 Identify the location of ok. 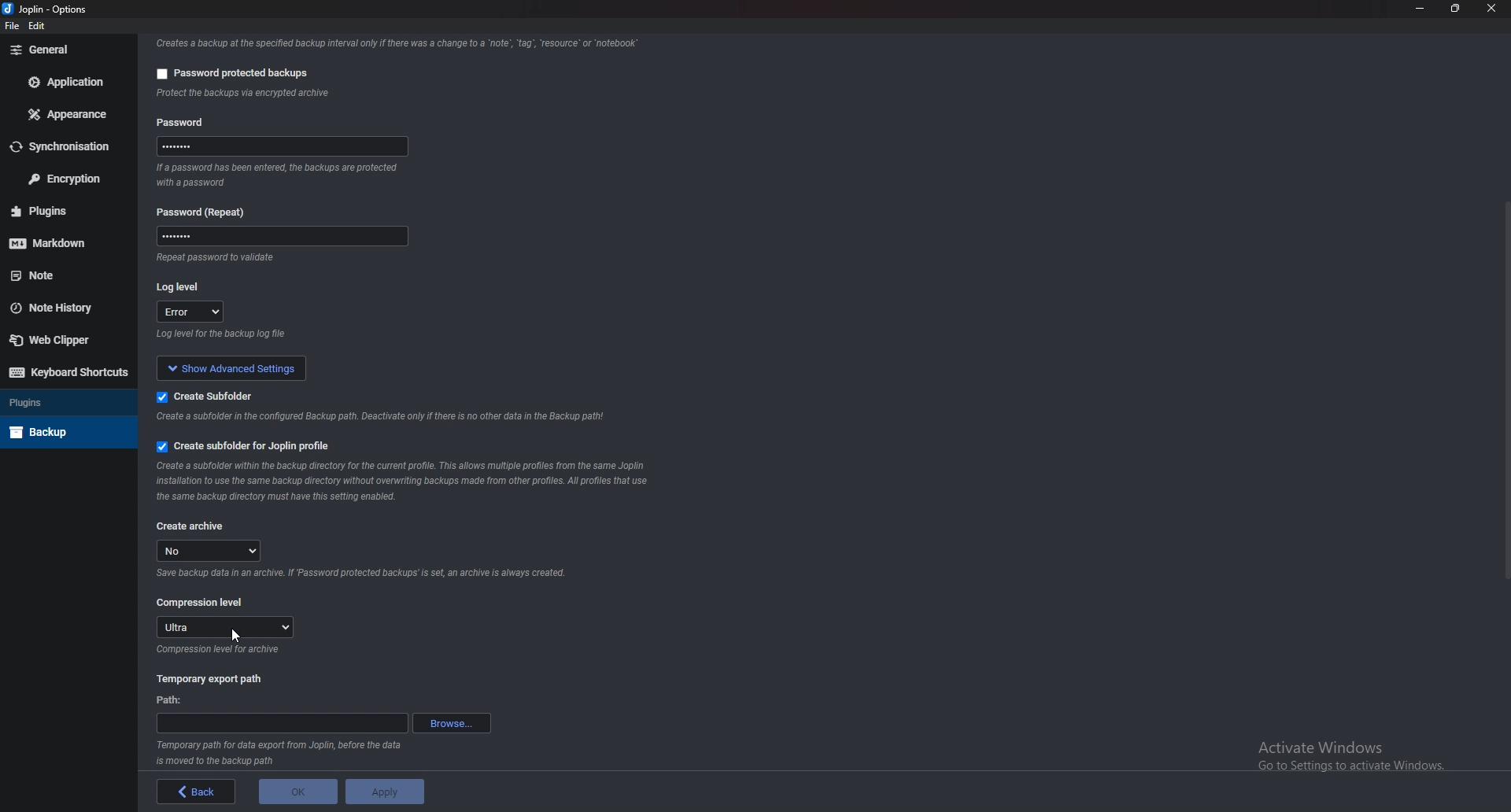
(292, 794).